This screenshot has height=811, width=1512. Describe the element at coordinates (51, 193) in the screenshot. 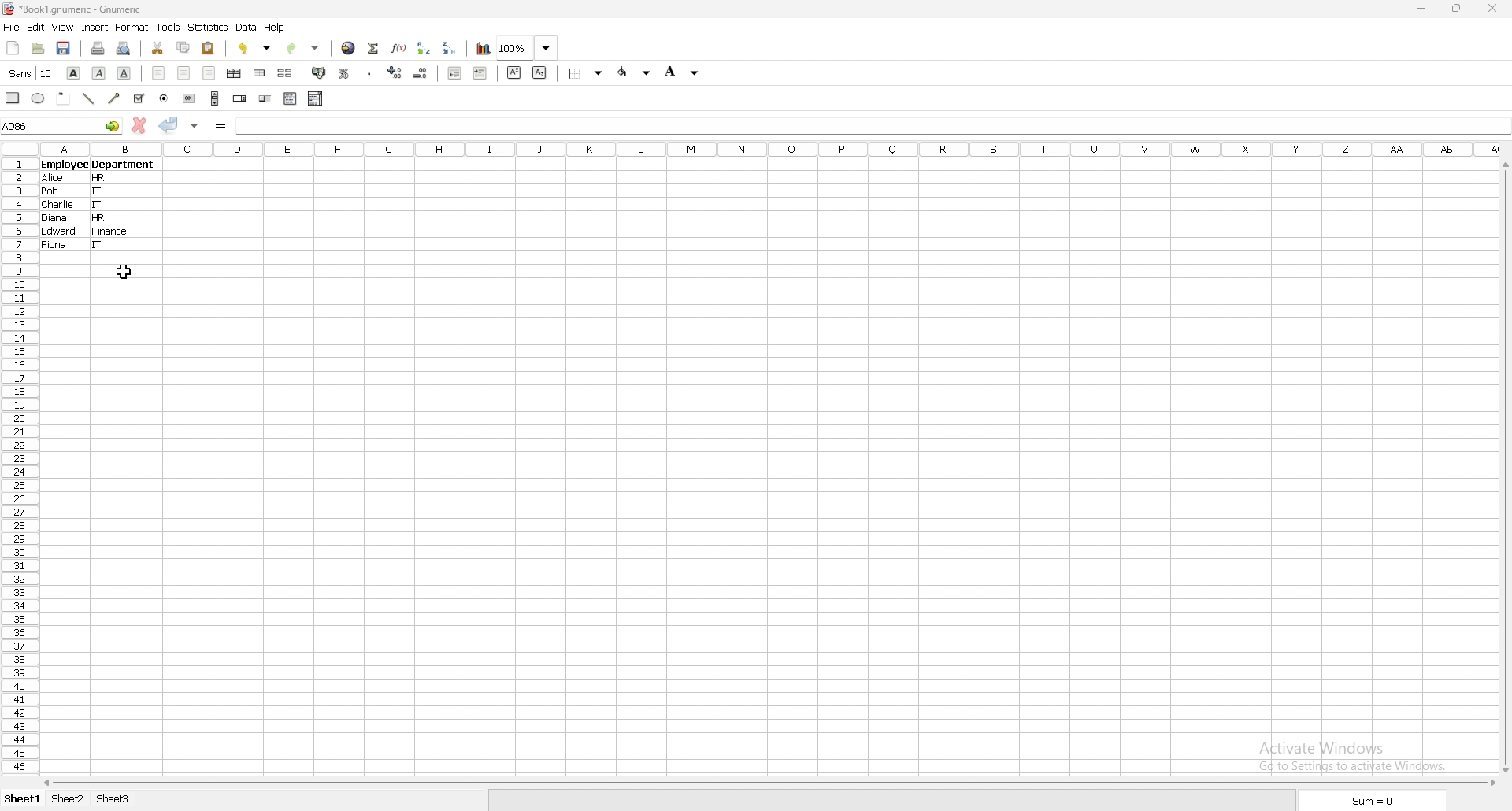

I see `bob` at that location.